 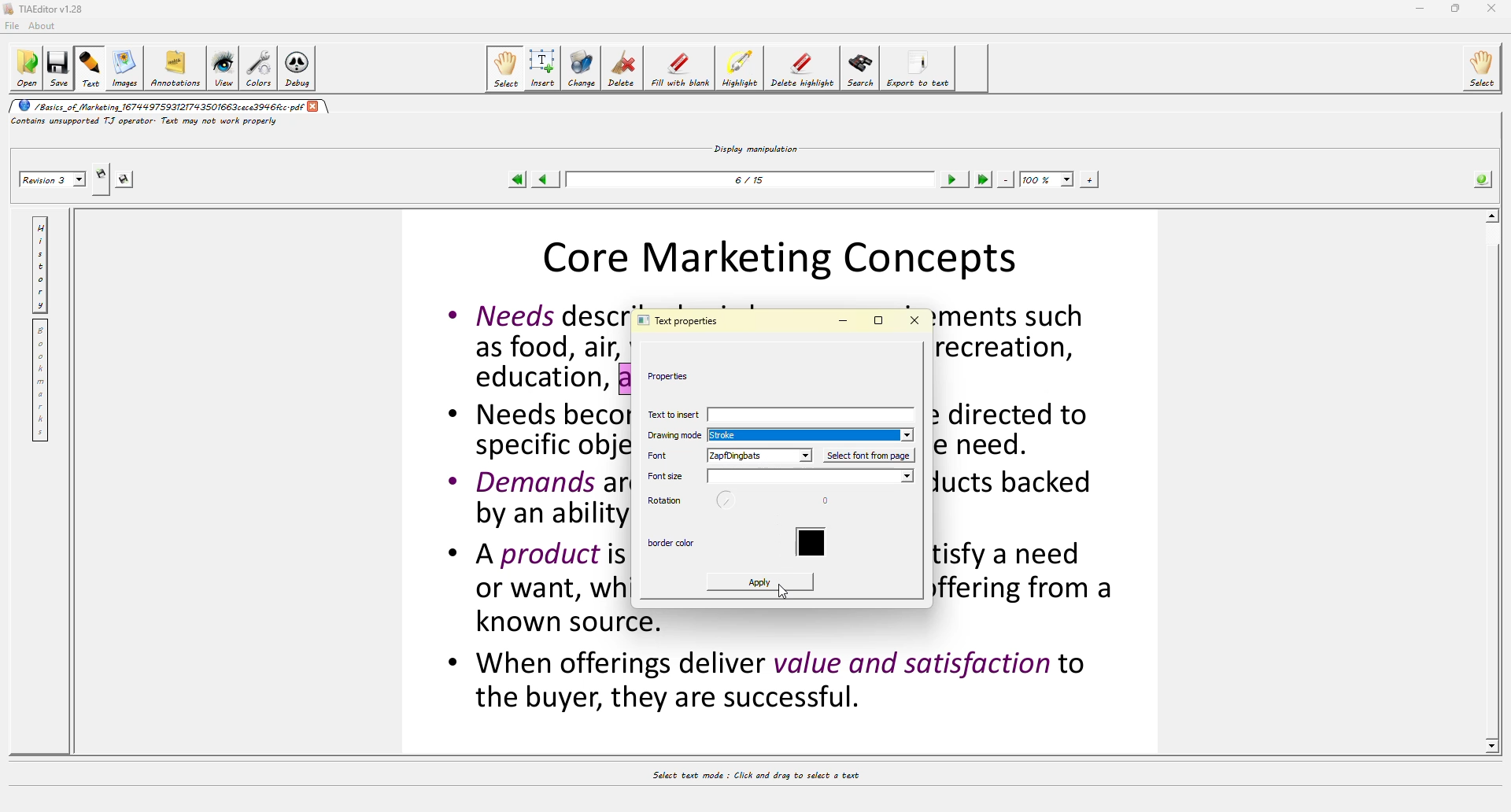 I want to click on apply, so click(x=755, y=585).